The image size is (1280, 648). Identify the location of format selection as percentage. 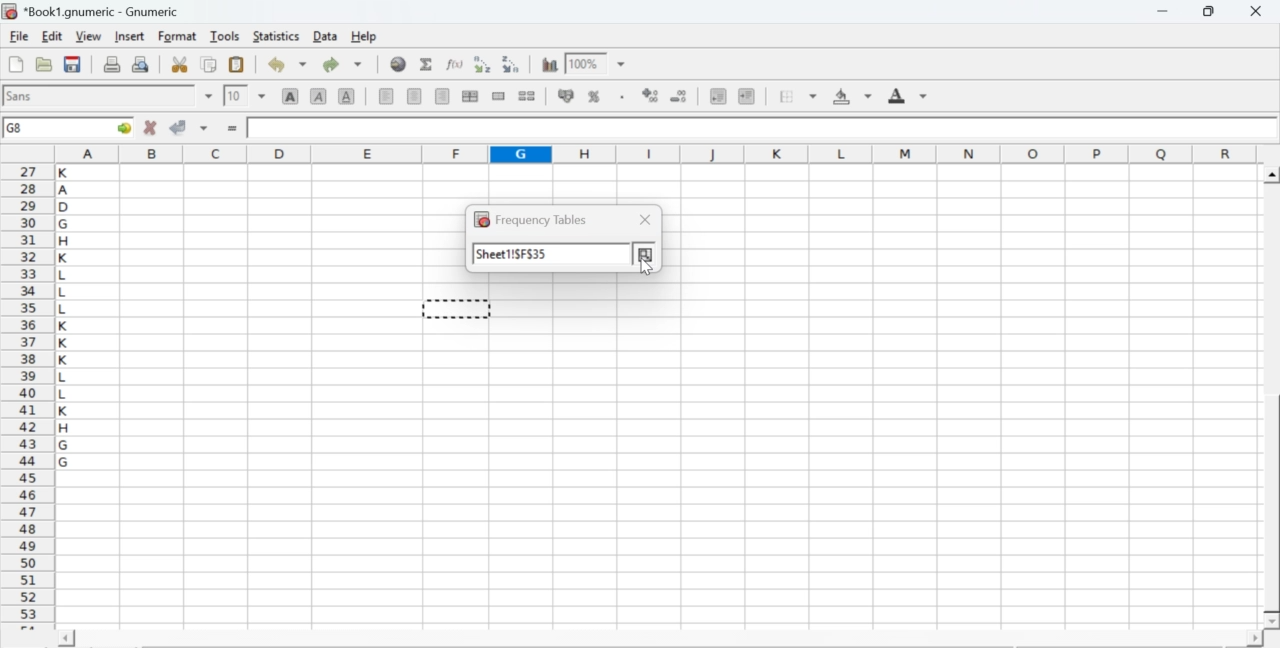
(592, 96).